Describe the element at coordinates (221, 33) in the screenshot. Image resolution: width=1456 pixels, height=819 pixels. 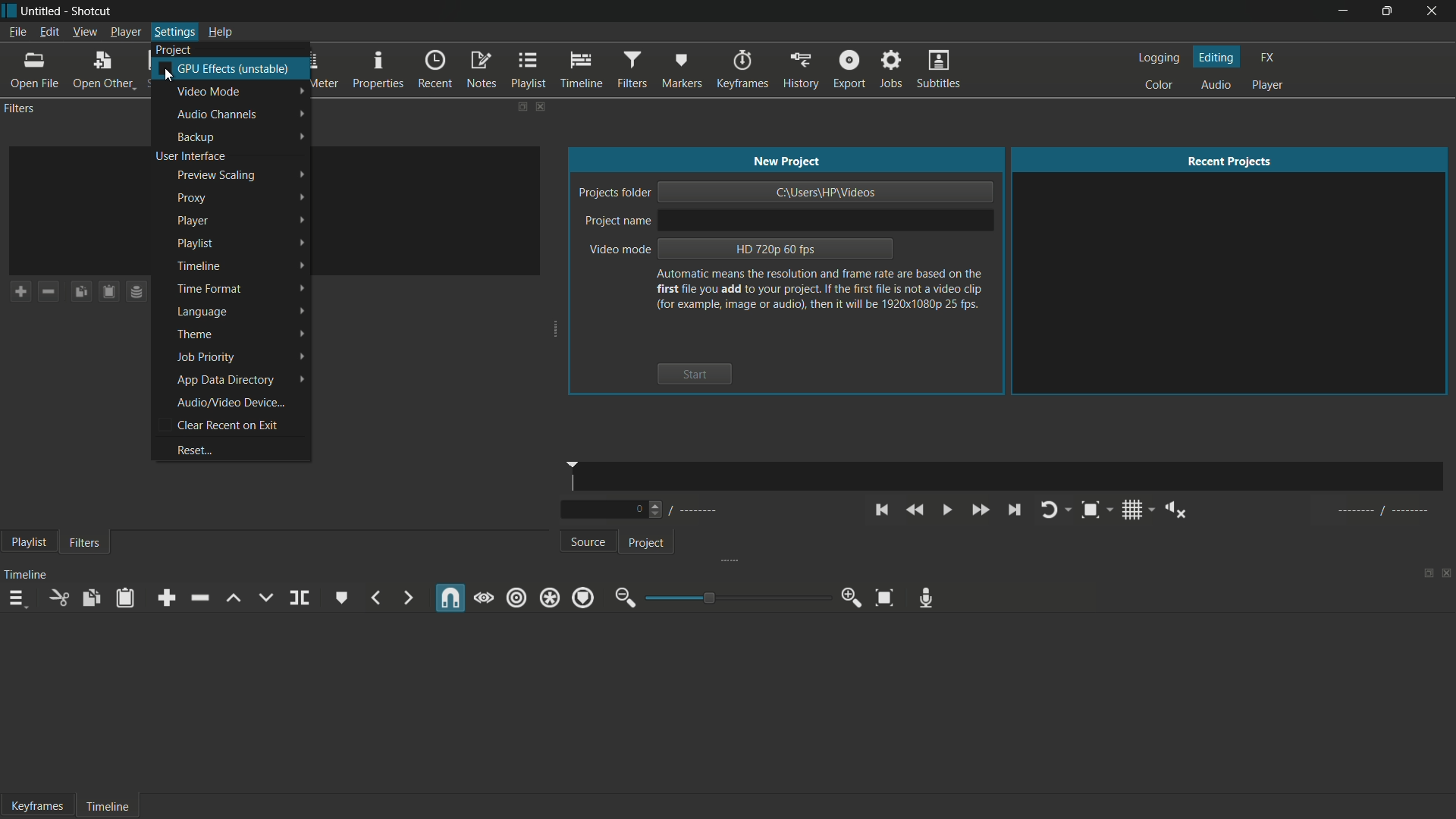
I see `help menu` at that location.